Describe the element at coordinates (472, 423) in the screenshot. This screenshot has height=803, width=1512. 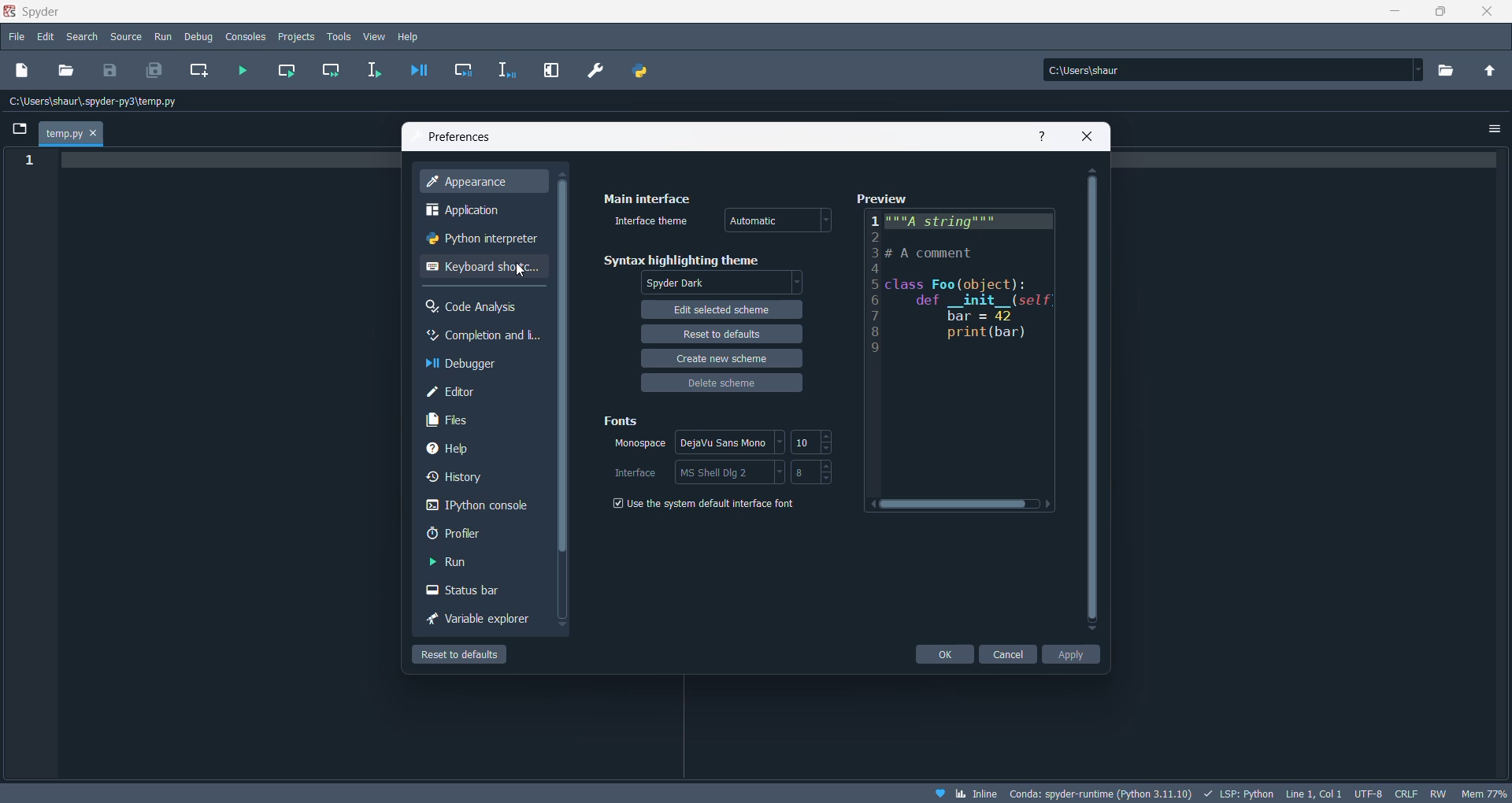
I see `files` at that location.